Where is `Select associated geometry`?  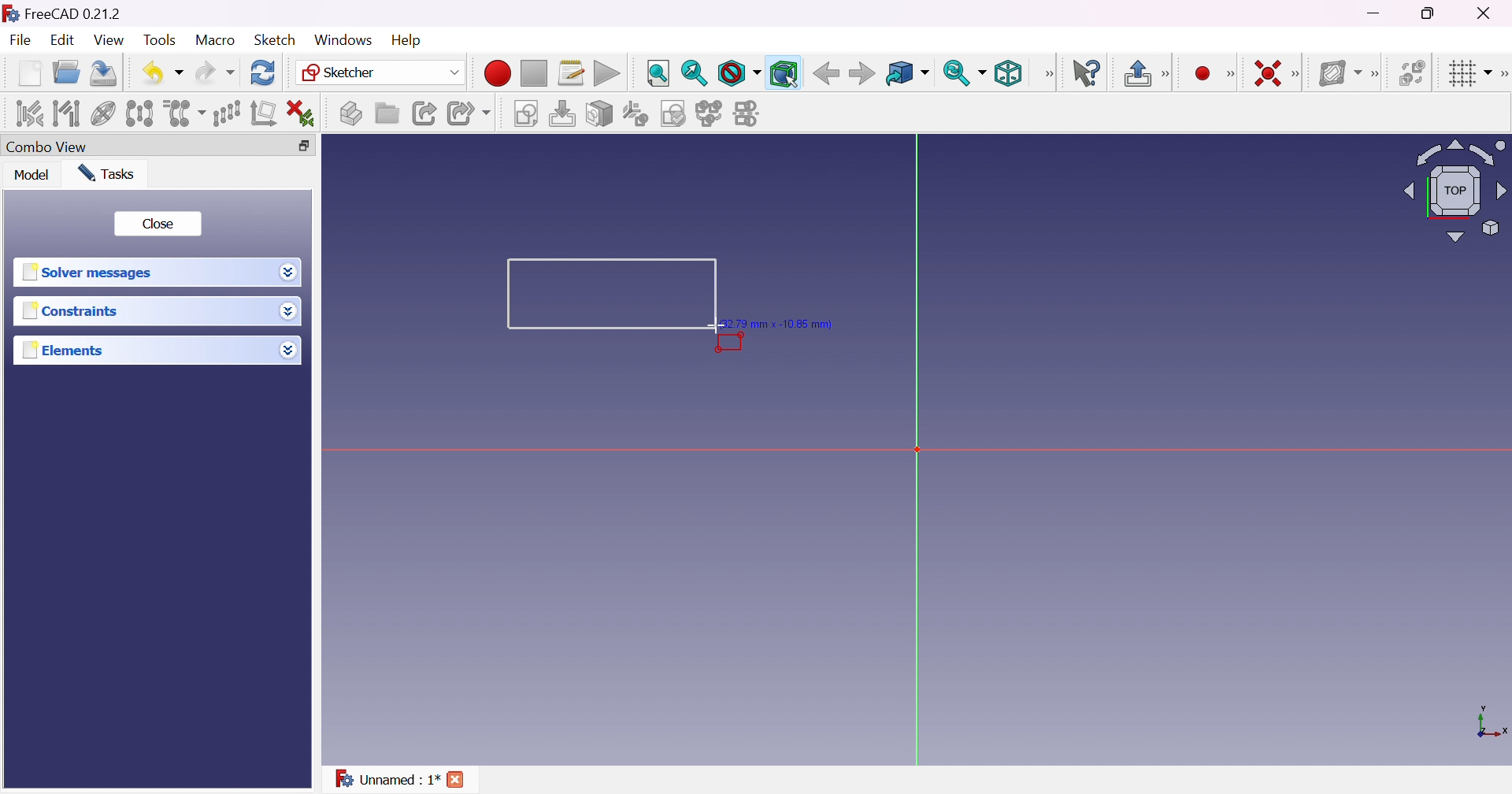 Select associated geometry is located at coordinates (65, 113).